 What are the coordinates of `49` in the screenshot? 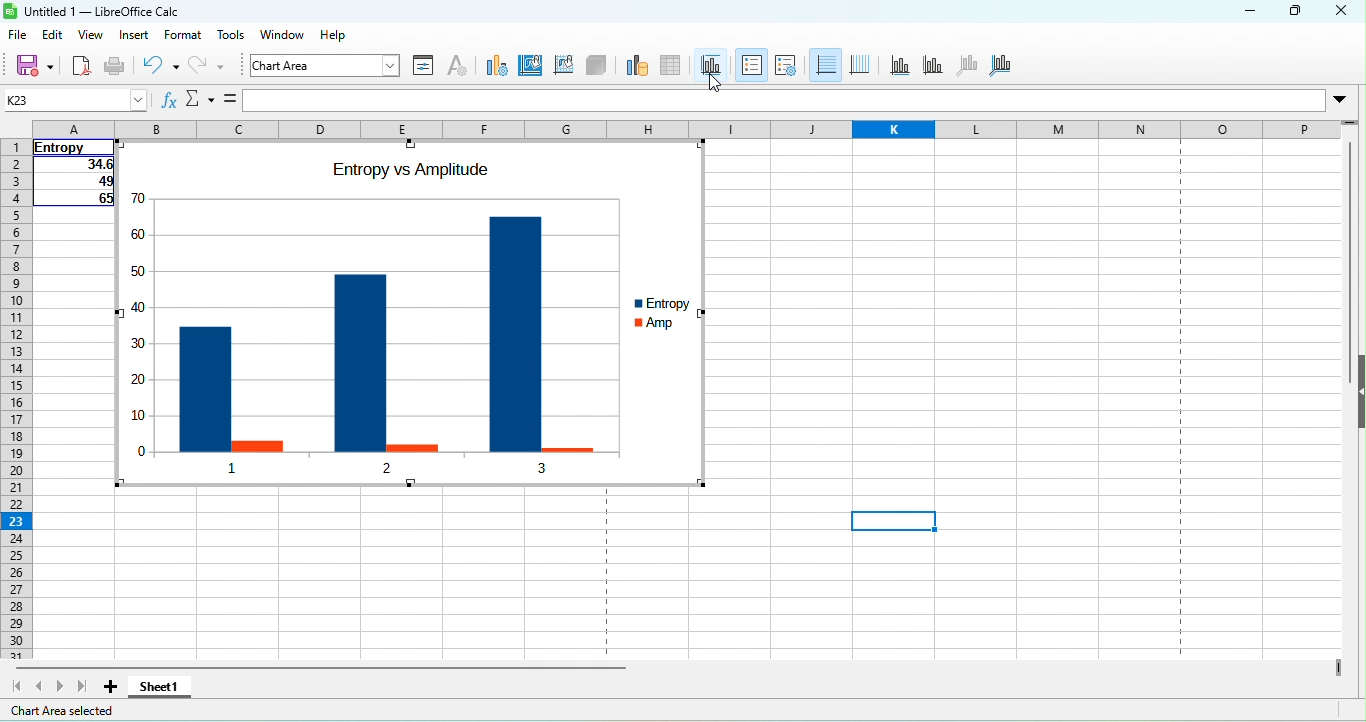 It's located at (76, 183).